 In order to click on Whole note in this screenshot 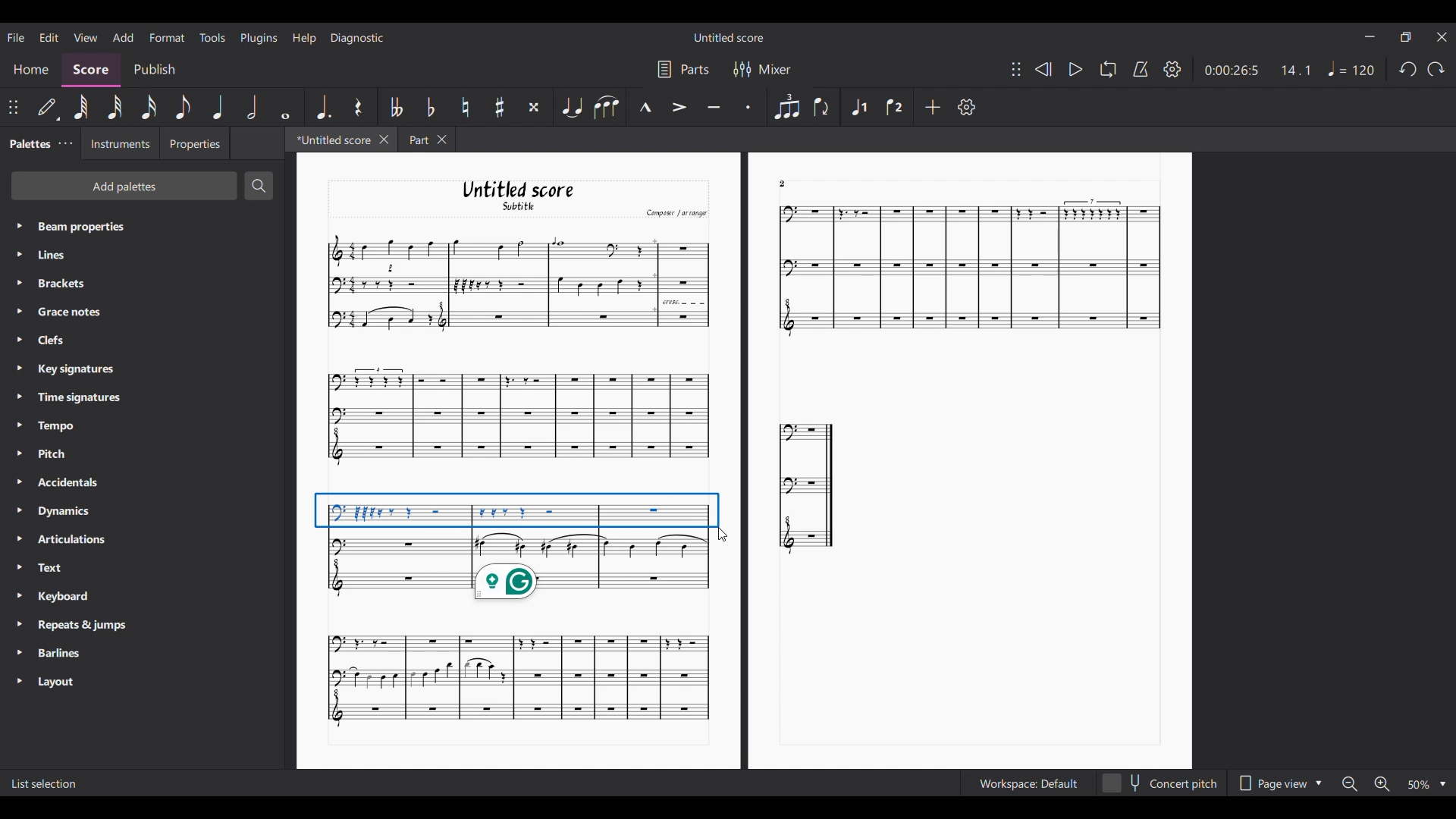, I will do `click(286, 108)`.